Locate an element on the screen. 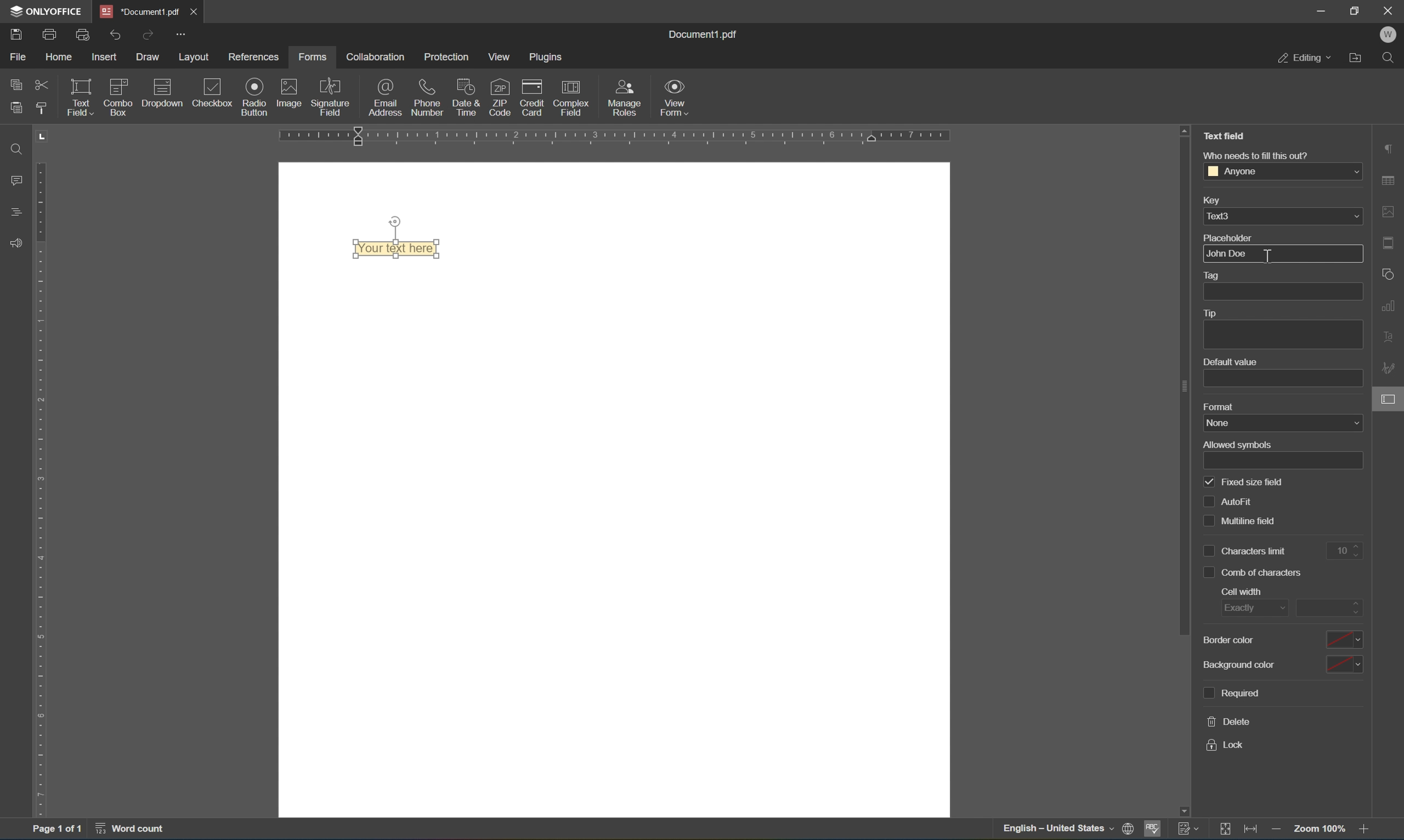 The height and width of the screenshot is (840, 1404). view is located at coordinates (501, 57).